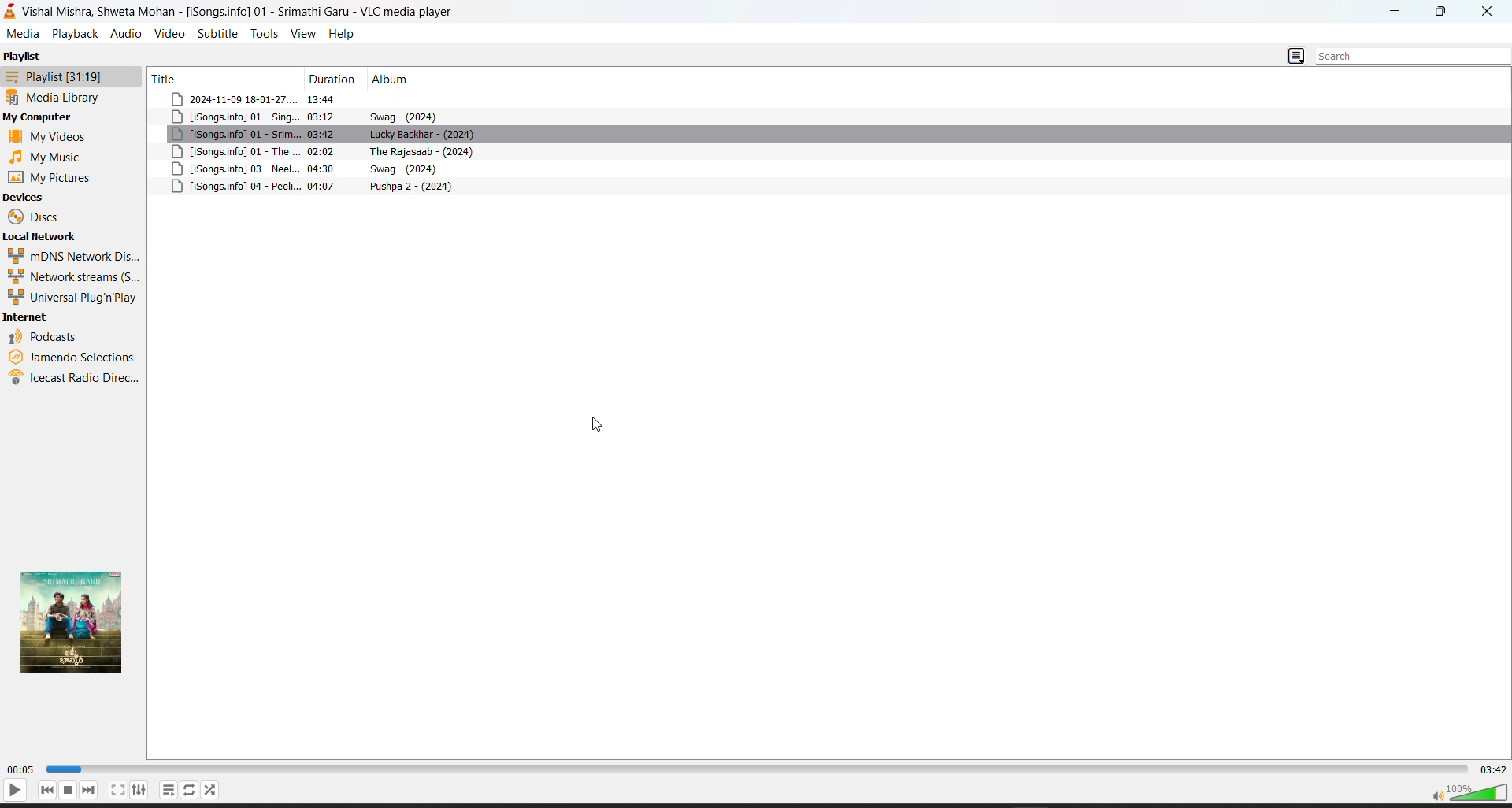 This screenshot has height=808, width=1512. What do you see at coordinates (69, 790) in the screenshot?
I see `stop` at bounding box center [69, 790].